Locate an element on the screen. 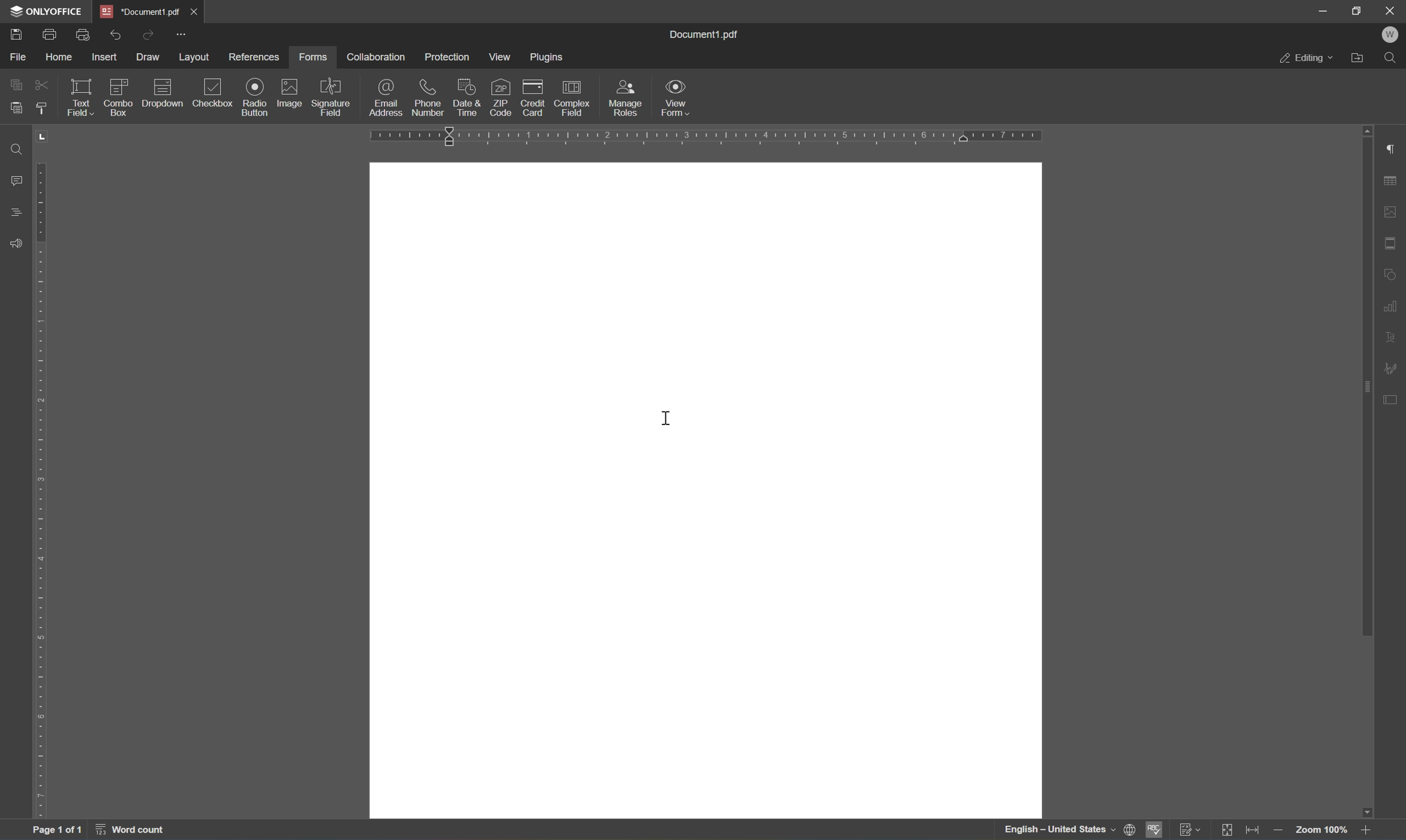  radio button is located at coordinates (257, 97).